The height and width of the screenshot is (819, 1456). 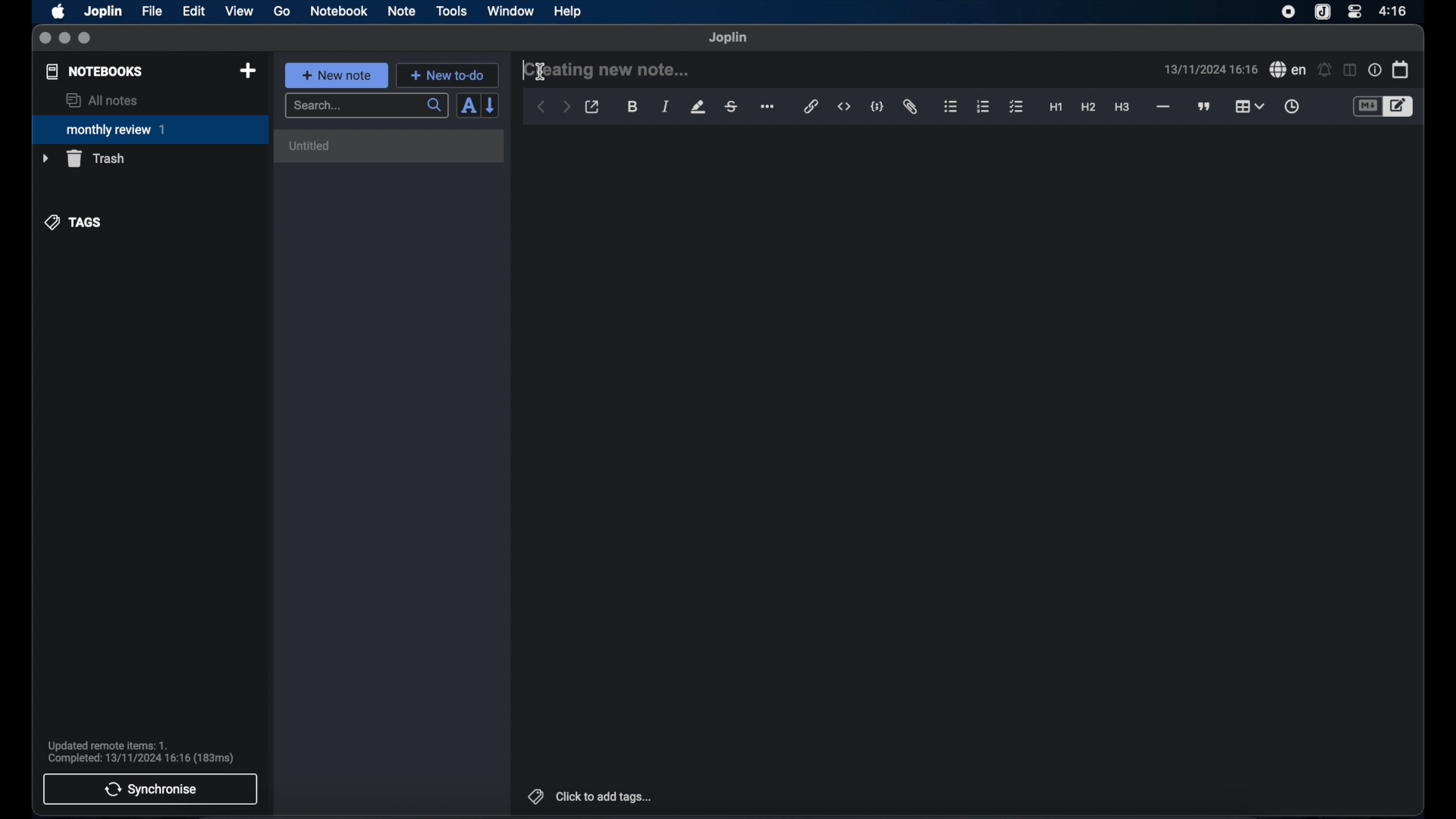 What do you see at coordinates (491, 105) in the screenshot?
I see `reverse sort order` at bounding box center [491, 105].